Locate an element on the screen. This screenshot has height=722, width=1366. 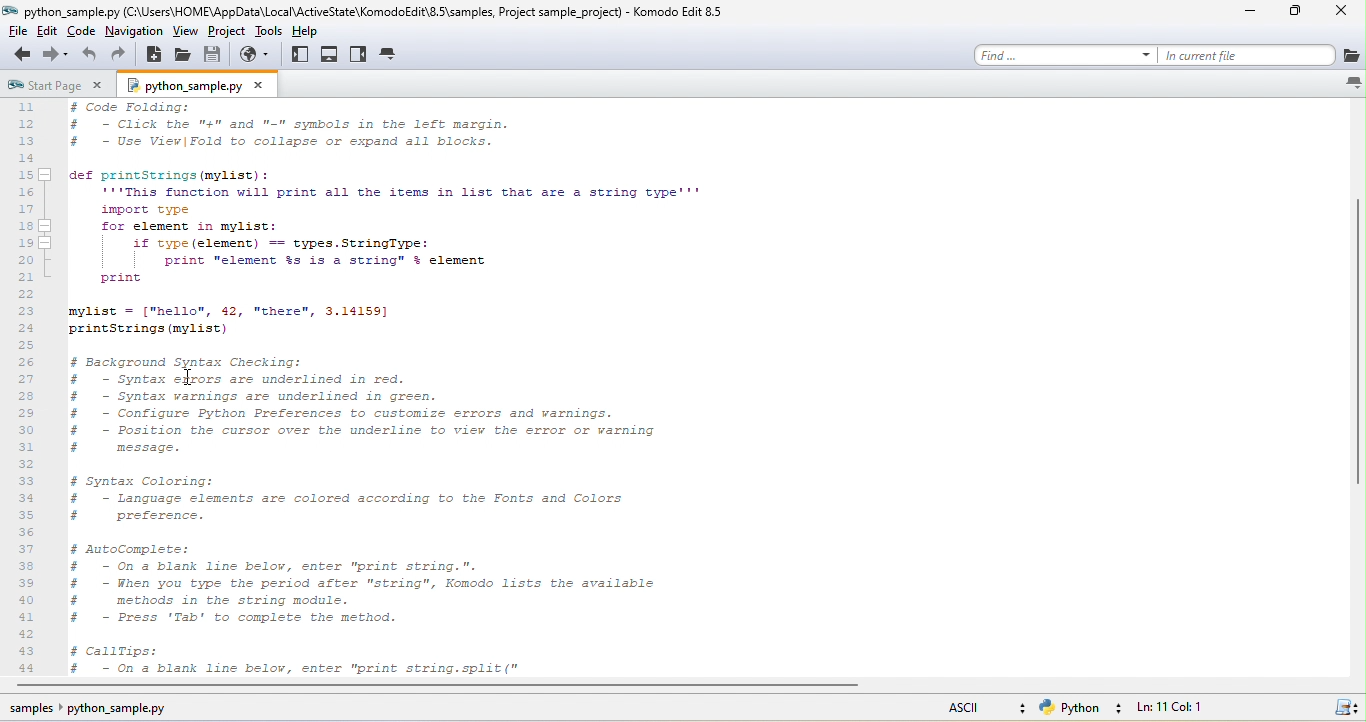
forward is located at coordinates (56, 55).